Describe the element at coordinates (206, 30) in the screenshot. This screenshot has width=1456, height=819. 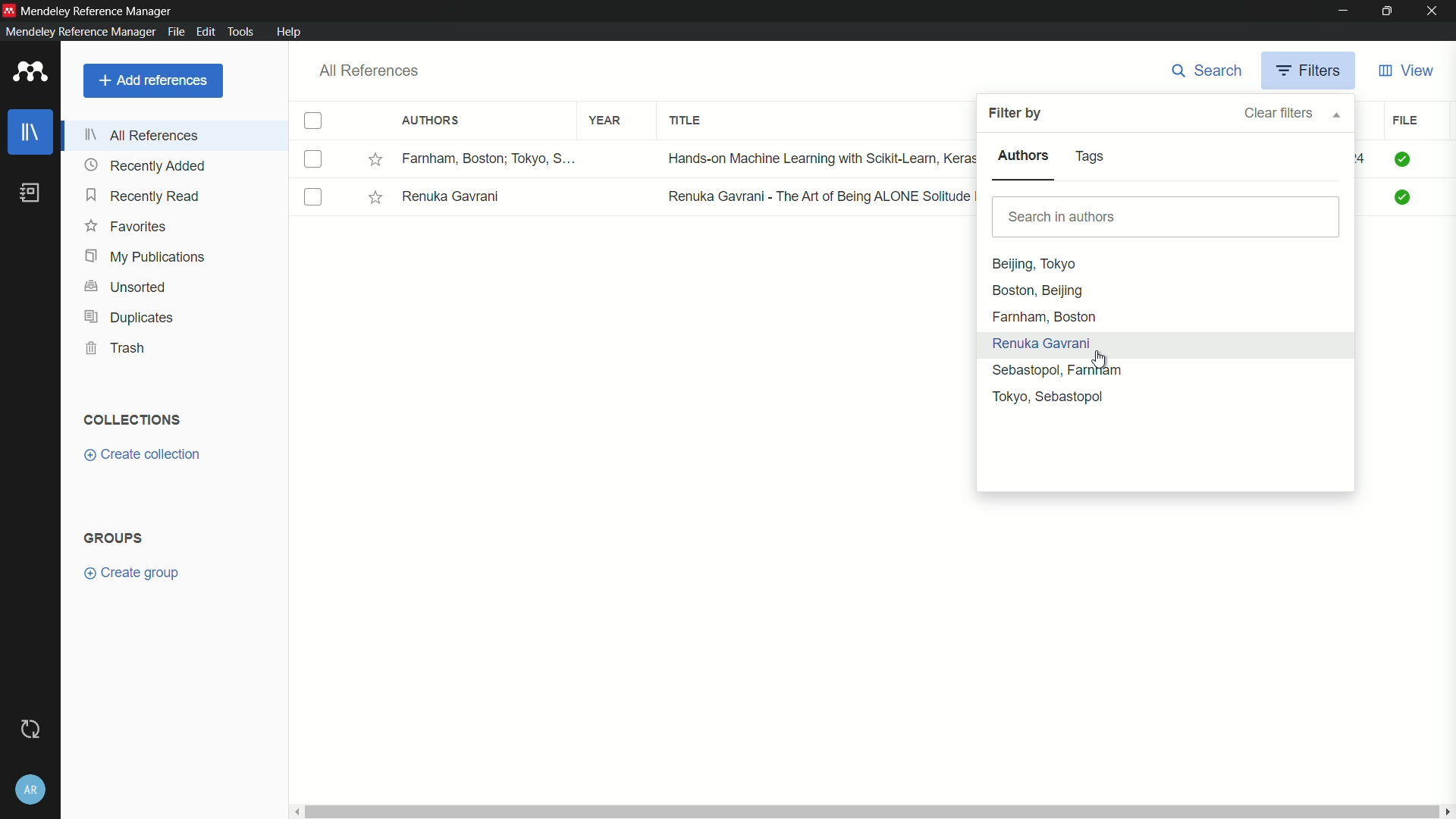
I see `edit menu` at that location.